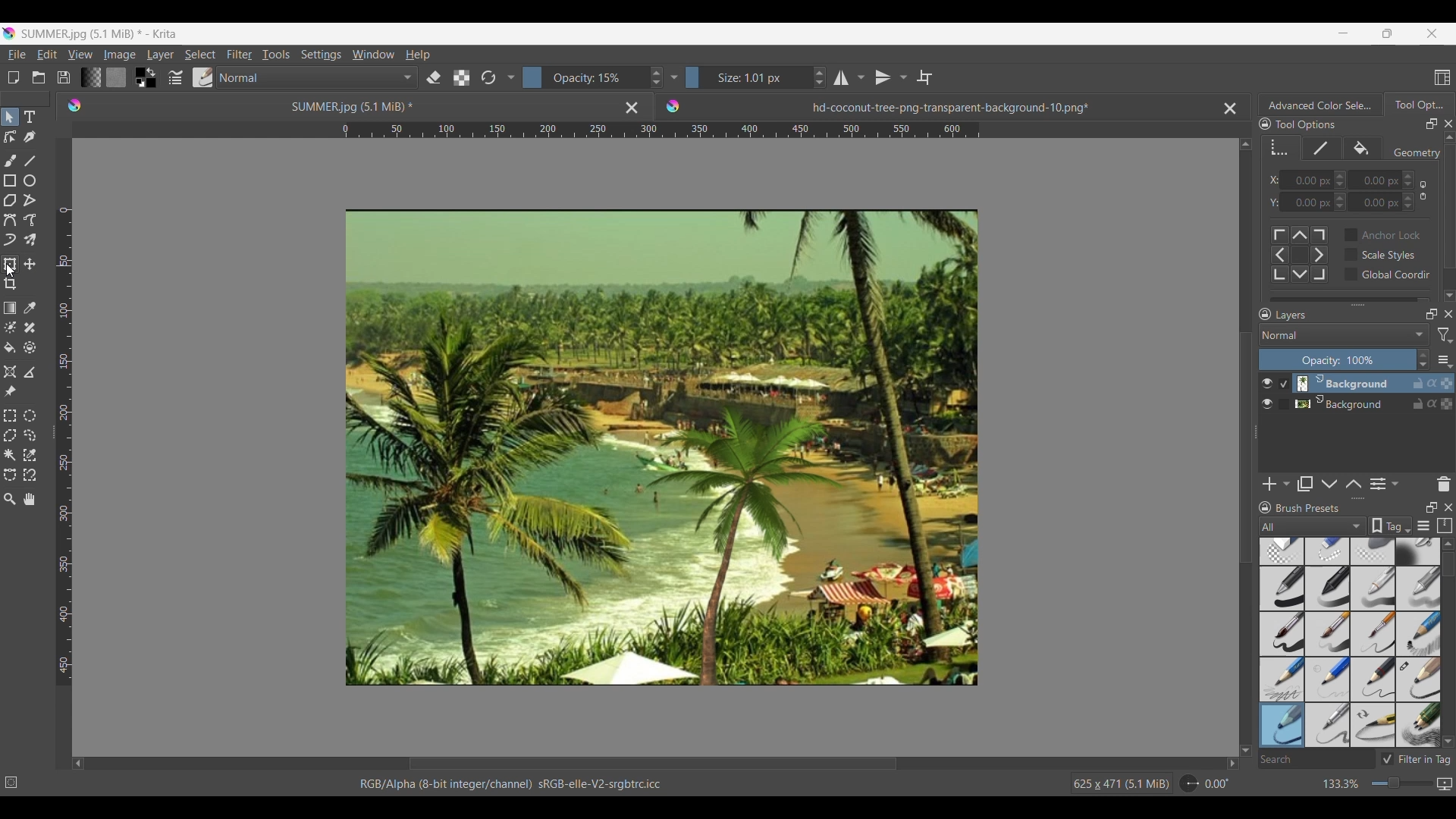 This screenshot has height=819, width=1456. Describe the element at coordinates (29, 136) in the screenshot. I see `Calligraphy` at that location.